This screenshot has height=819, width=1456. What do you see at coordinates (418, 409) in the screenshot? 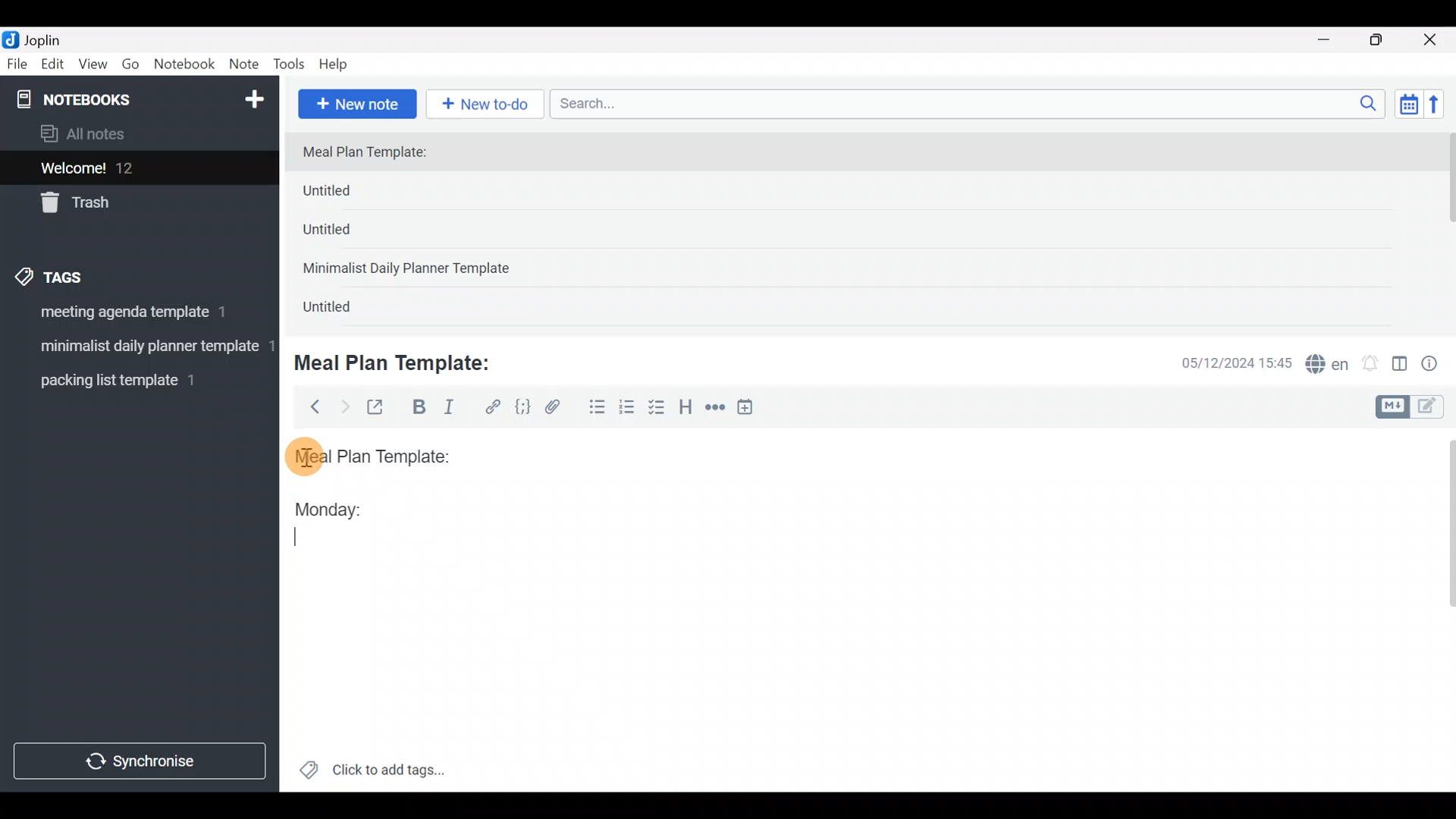
I see `Bold` at bounding box center [418, 409].